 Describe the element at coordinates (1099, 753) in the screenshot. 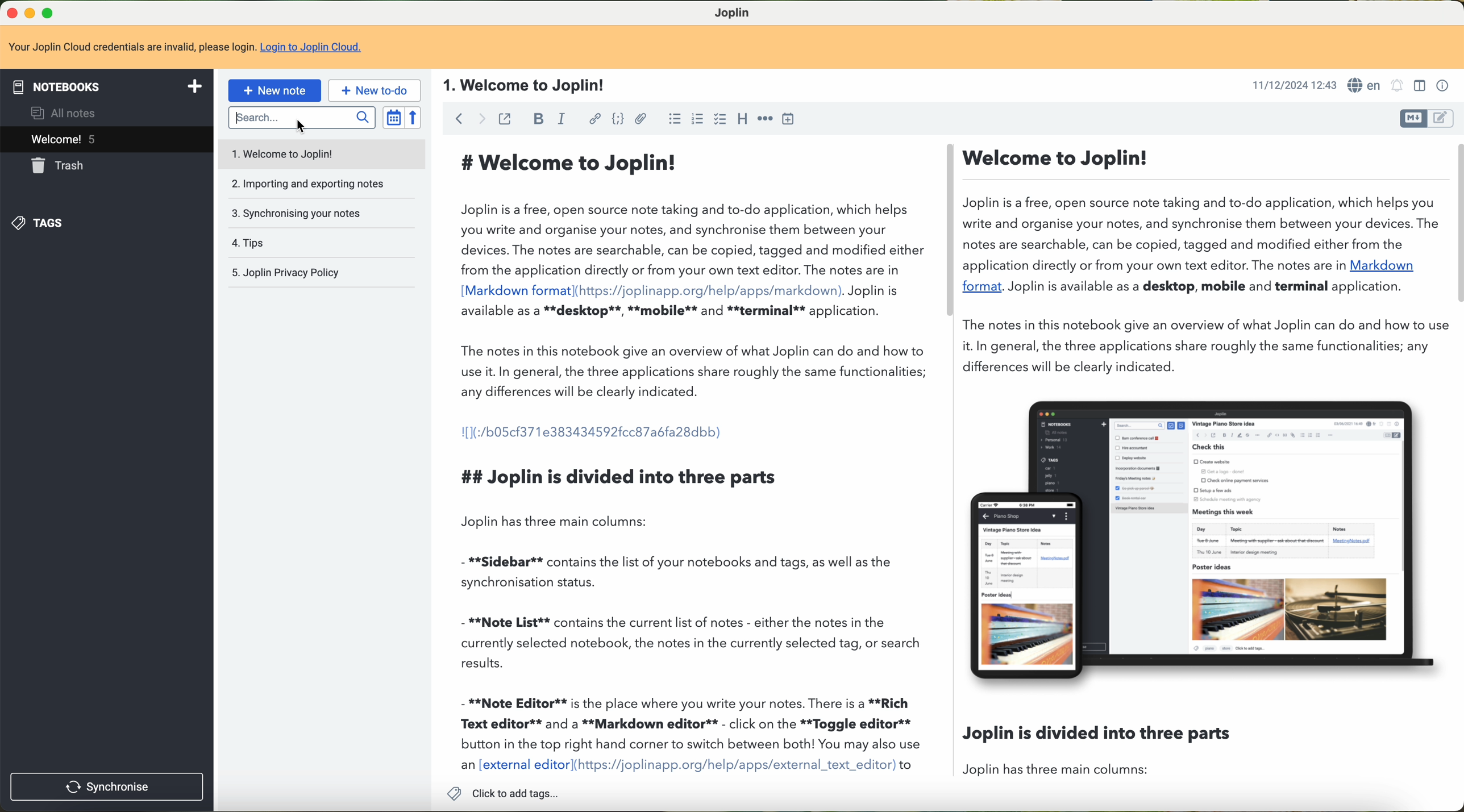

I see `Joplin is dividied into three parts` at that location.